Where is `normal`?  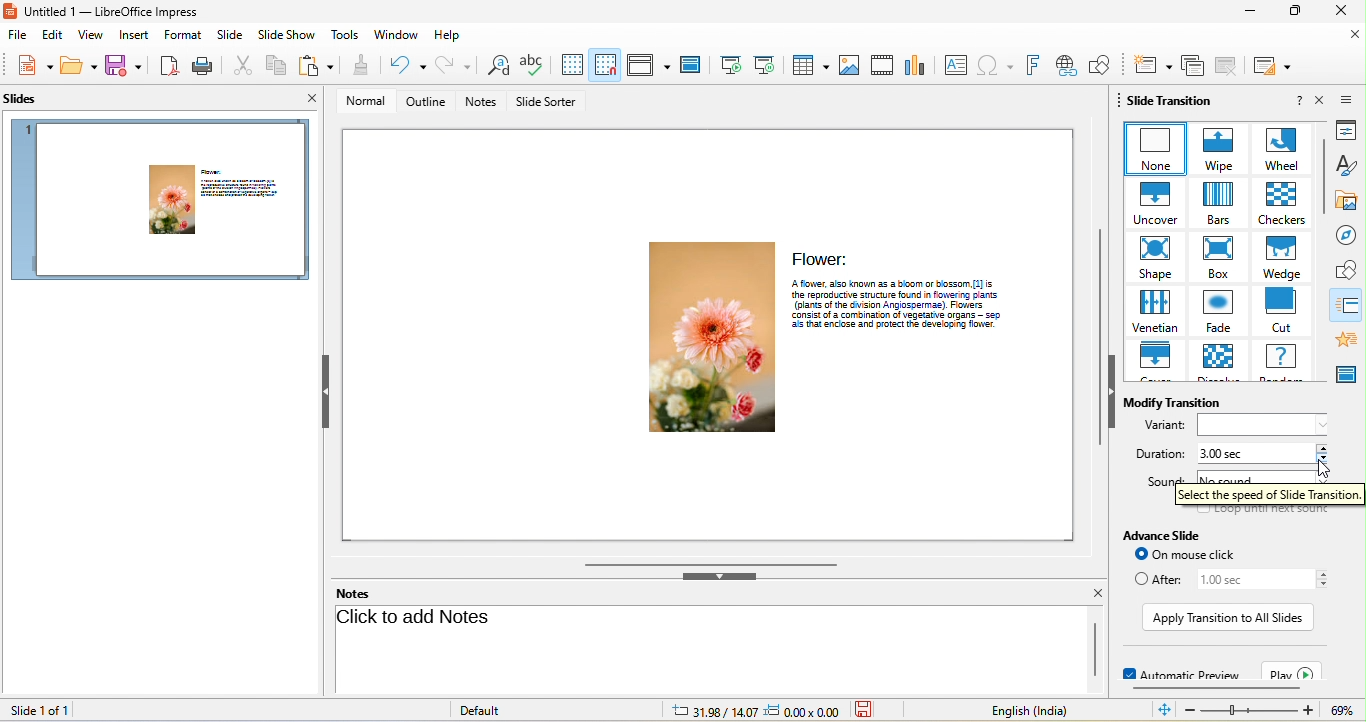
normal is located at coordinates (363, 102).